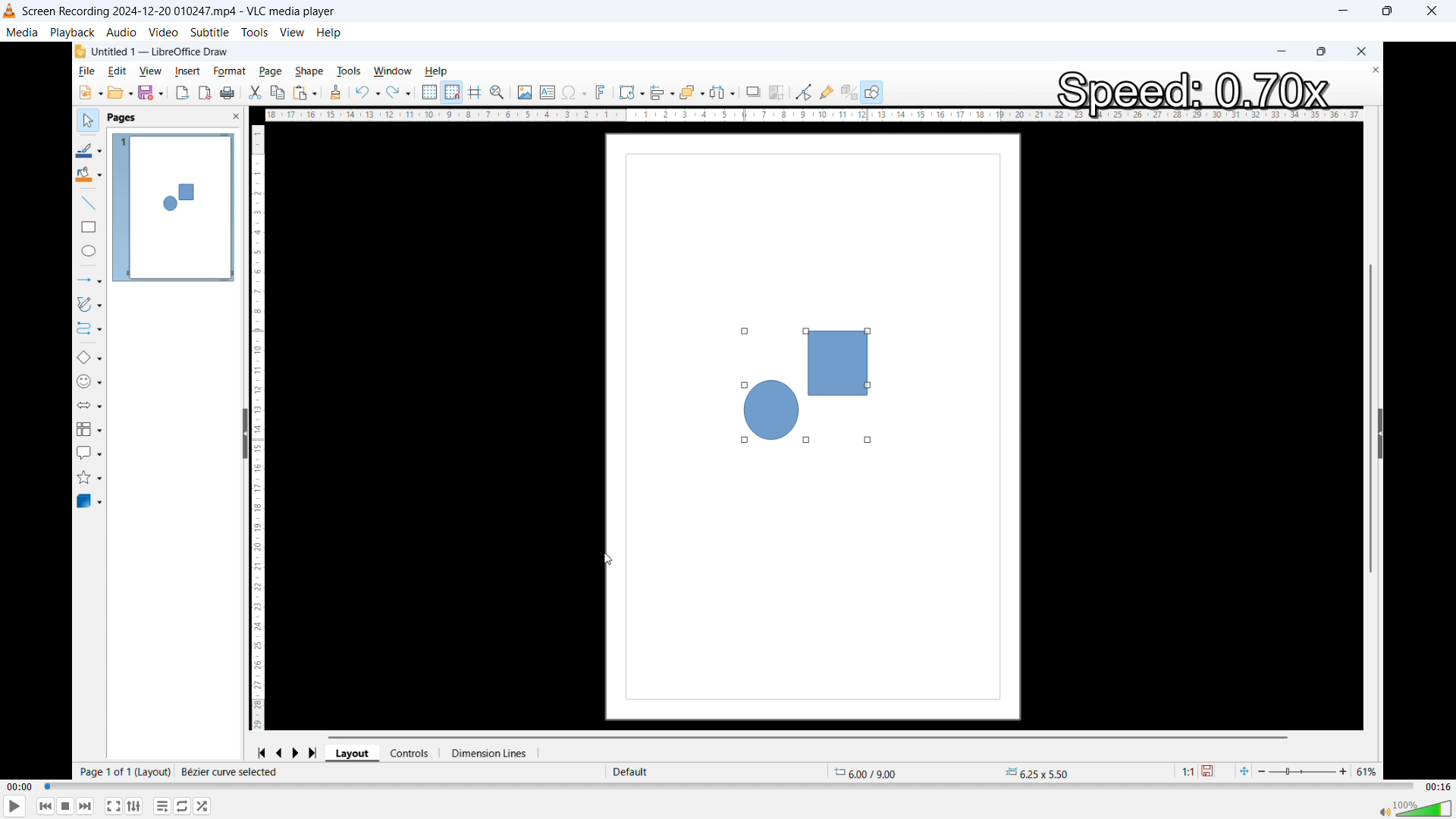 The image size is (1456, 819). What do you see at coordinates (66, 807) in the screenshot?
I see `Stop playback ` at bounding box center [66, 807].